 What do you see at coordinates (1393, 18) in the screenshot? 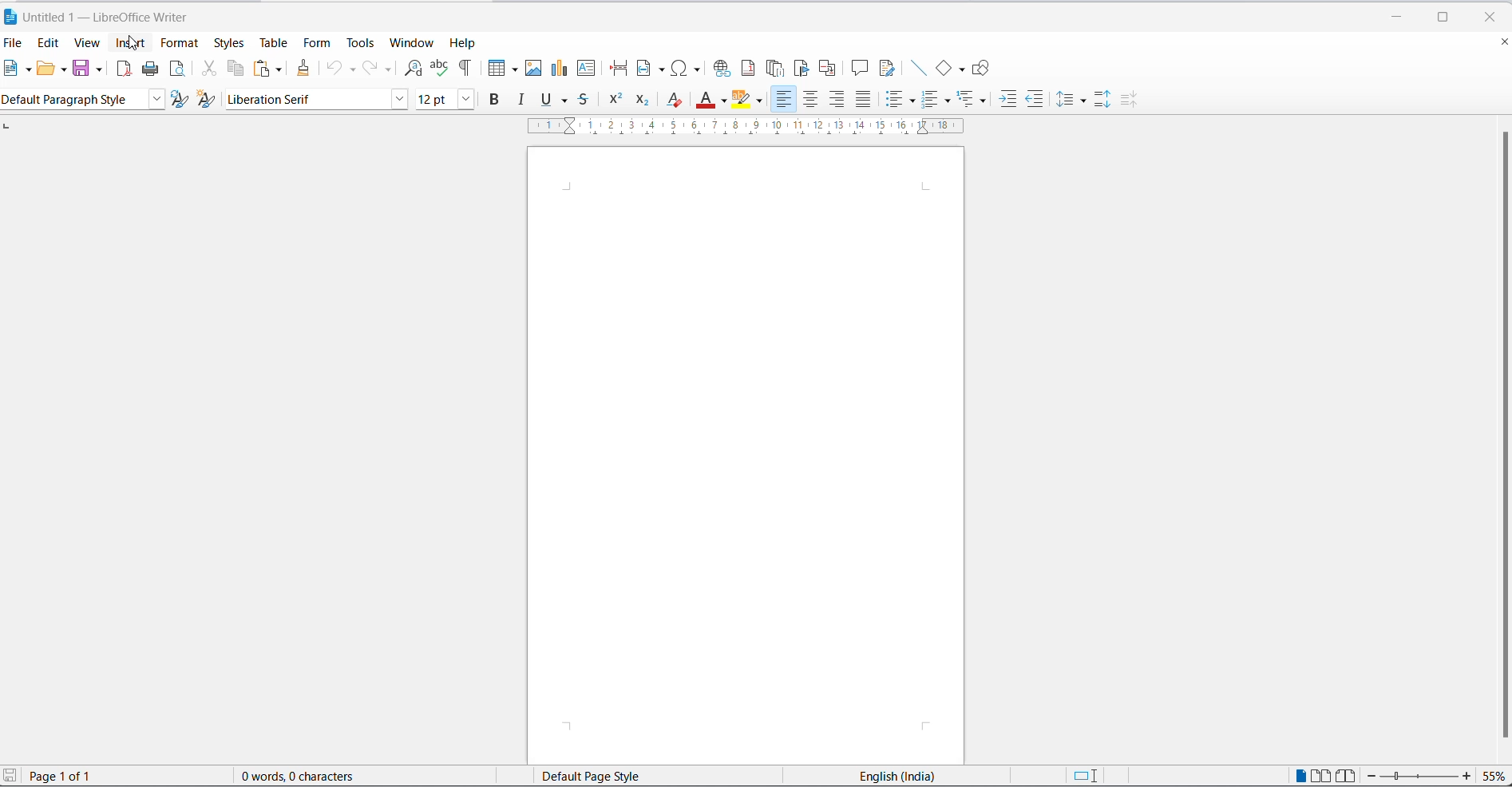
I see `minimize` at bounding box center [1393, 18].